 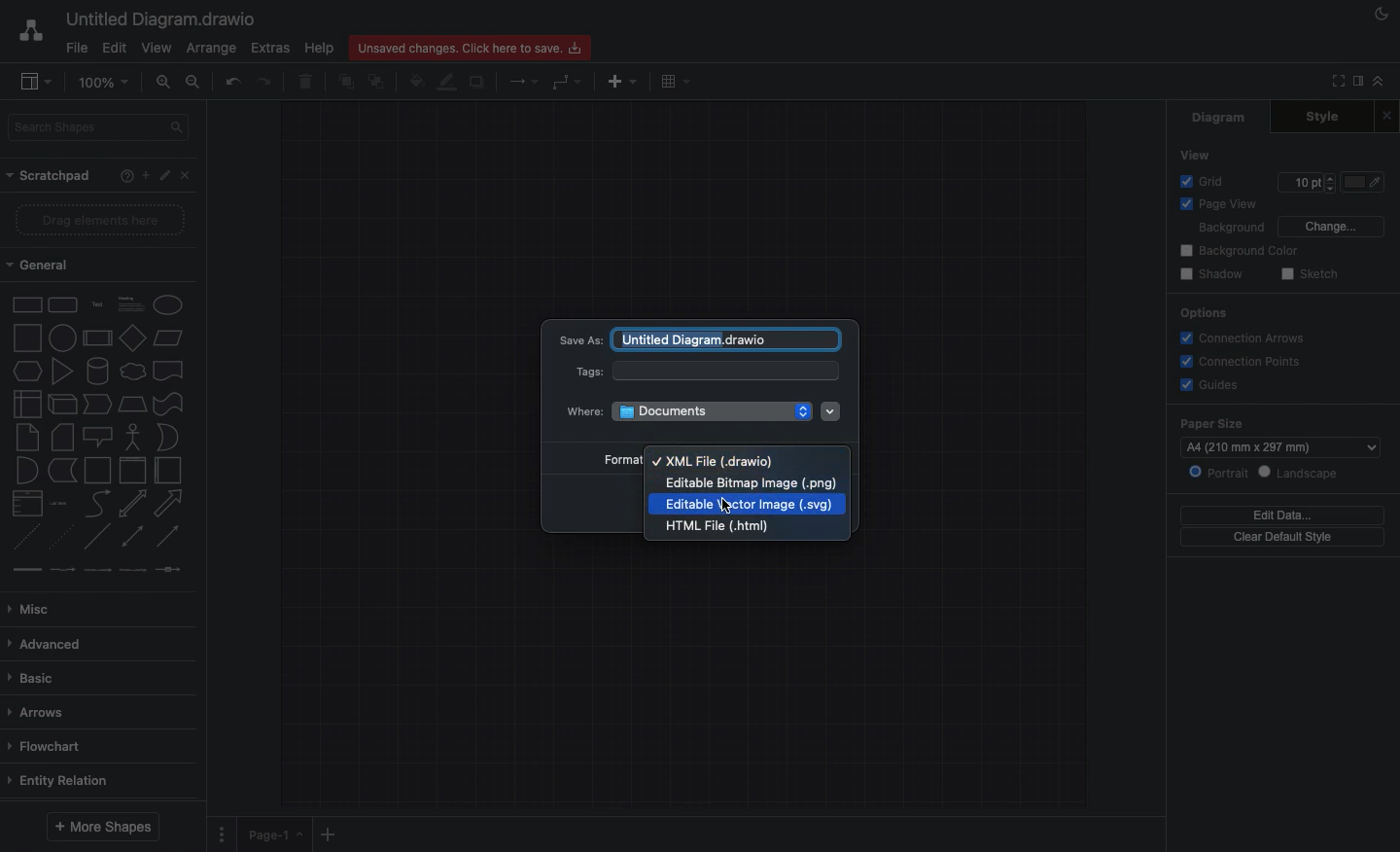 What do you see at coordinates (704, 373) in the screenshot?
I see `Tags` at bounding box center [704, 373].